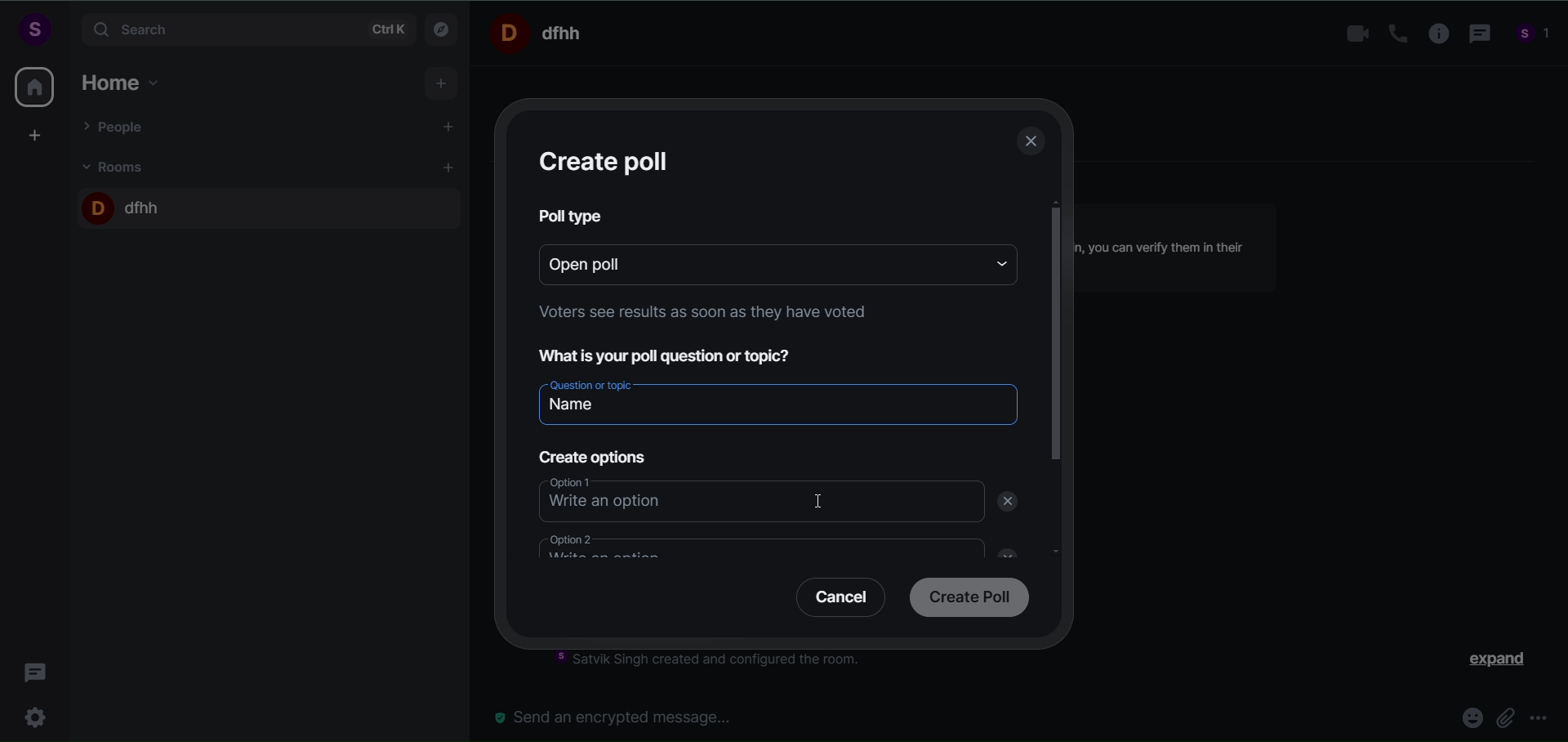 Image resolution: width=1568 pixels, height=742 pixels. What do you see at coordinates (36, 668) in the screenshot?
I see `threads ` at bounding box center [36, 668].